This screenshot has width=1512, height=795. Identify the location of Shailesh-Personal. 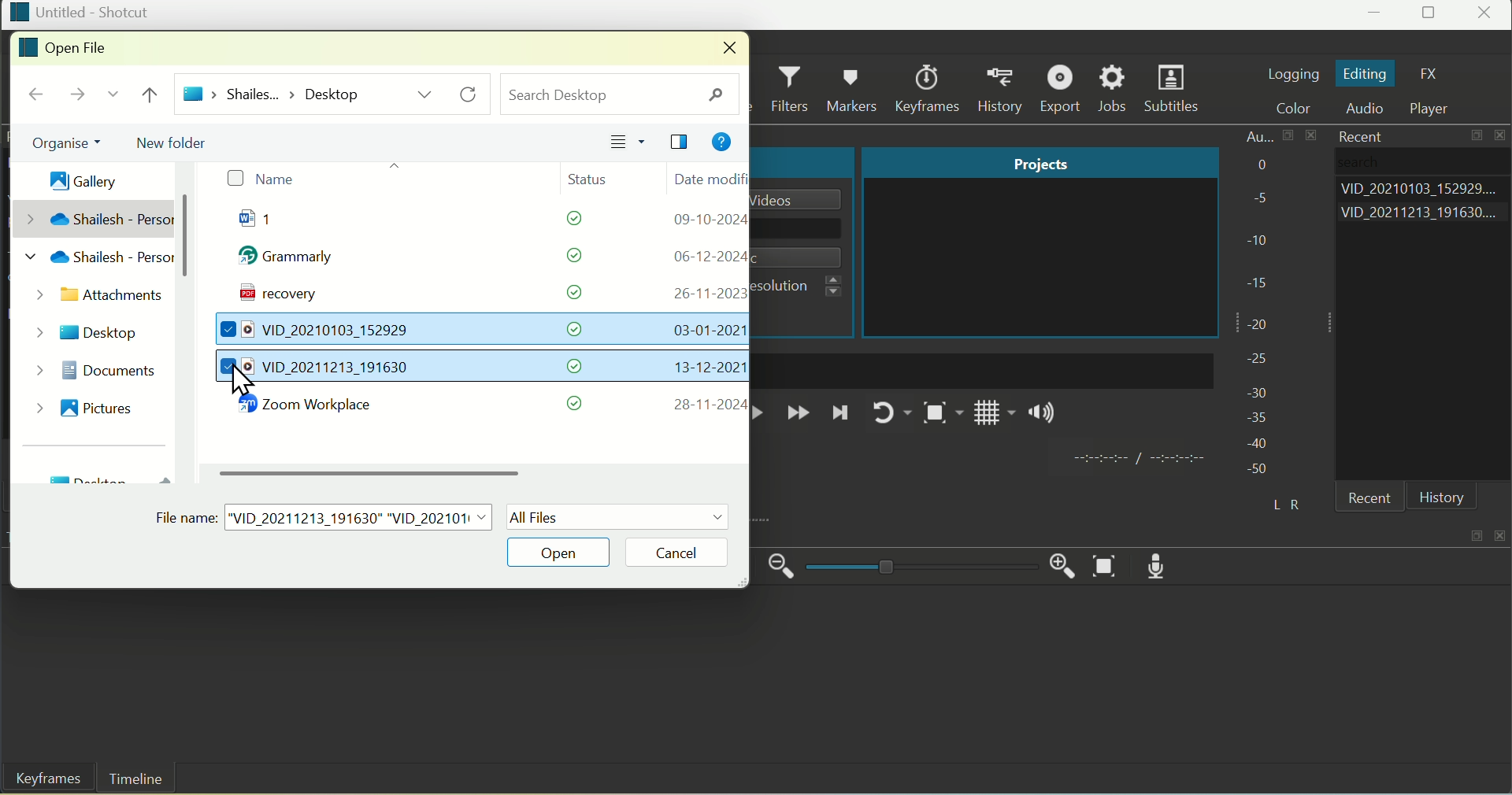
(94, 218).